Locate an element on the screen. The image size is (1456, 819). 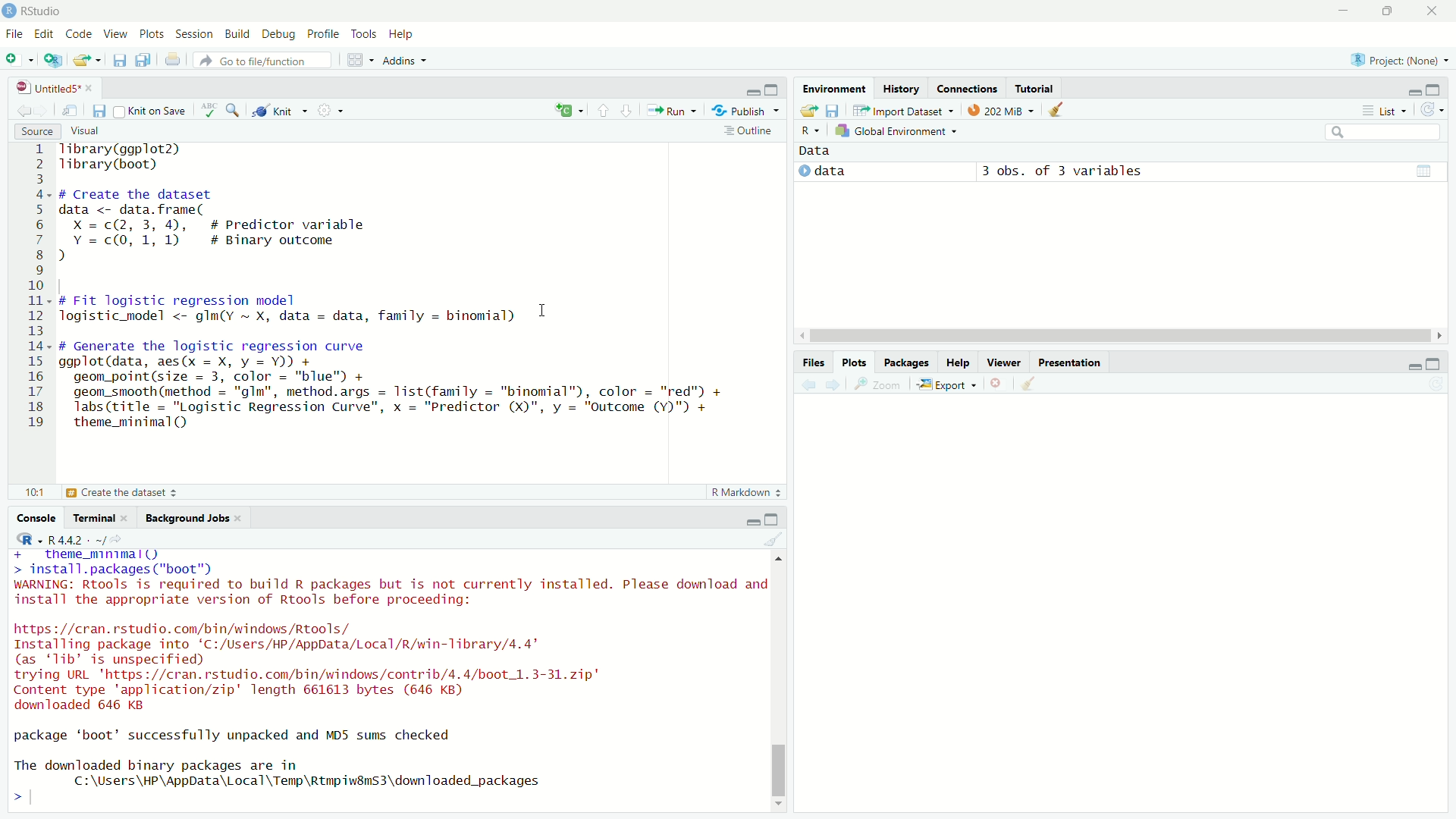
Publish is located at coordinates (745, 110).